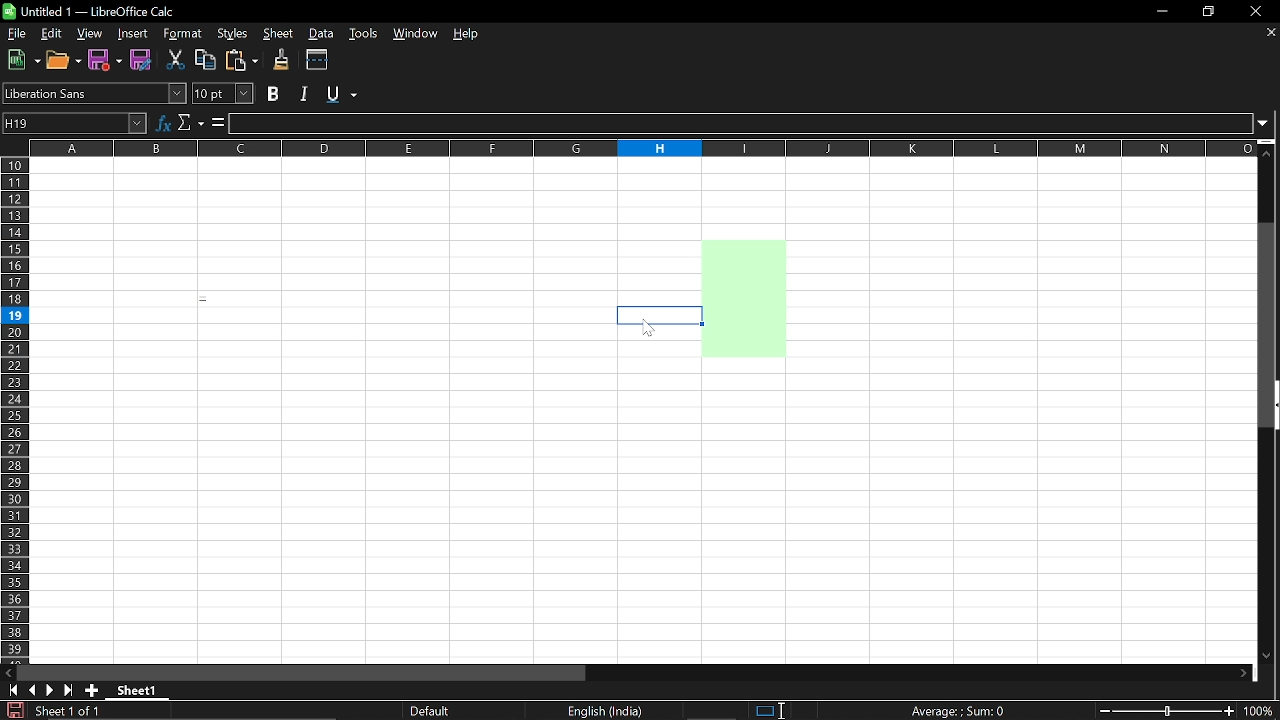 The image size is (1280, 720). I want to click on Insert, so click(134, 33).